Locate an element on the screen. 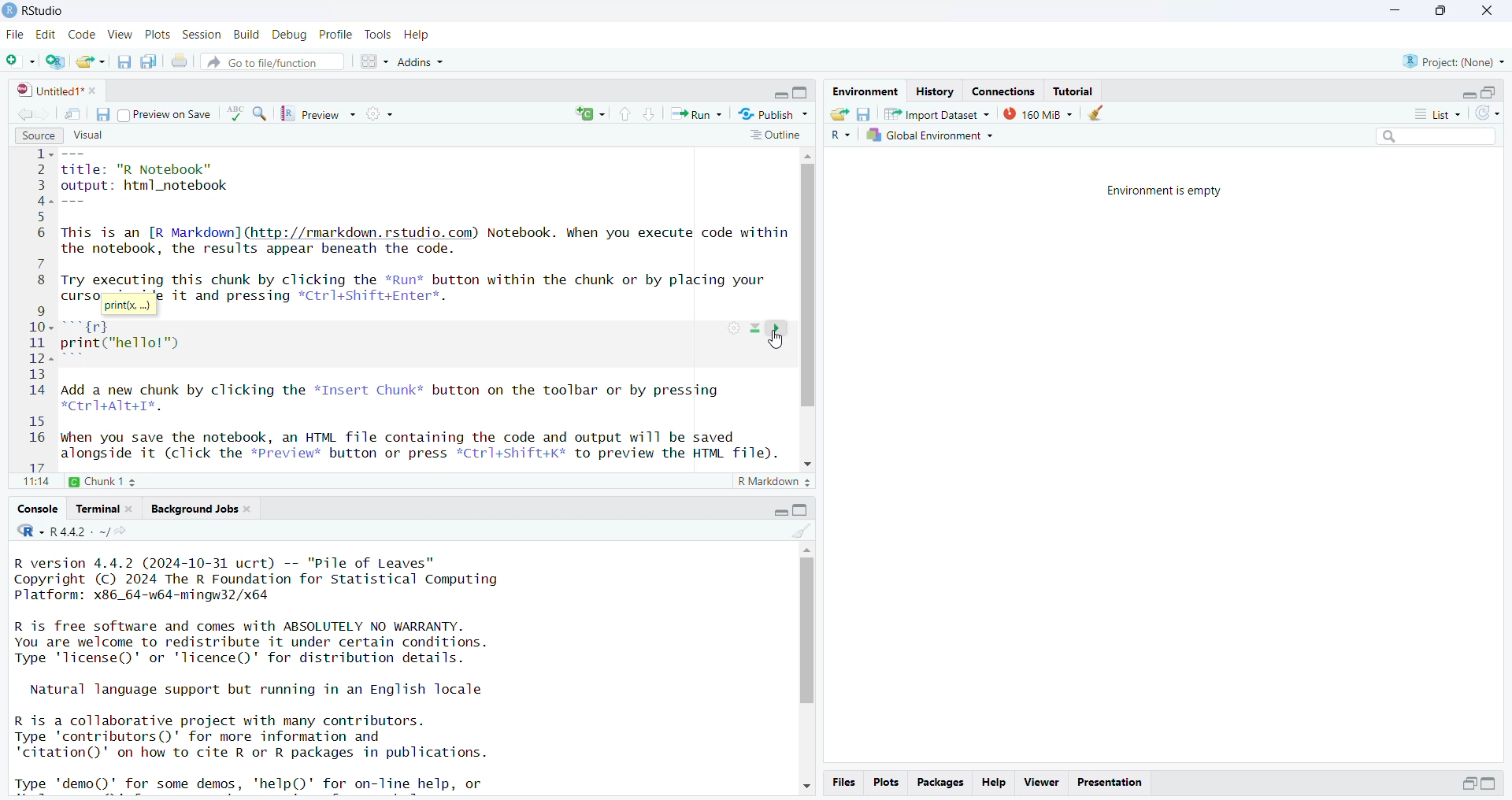 This screenshot has height=800, width=1512. go to previous section is located at coordinates (624, 114).